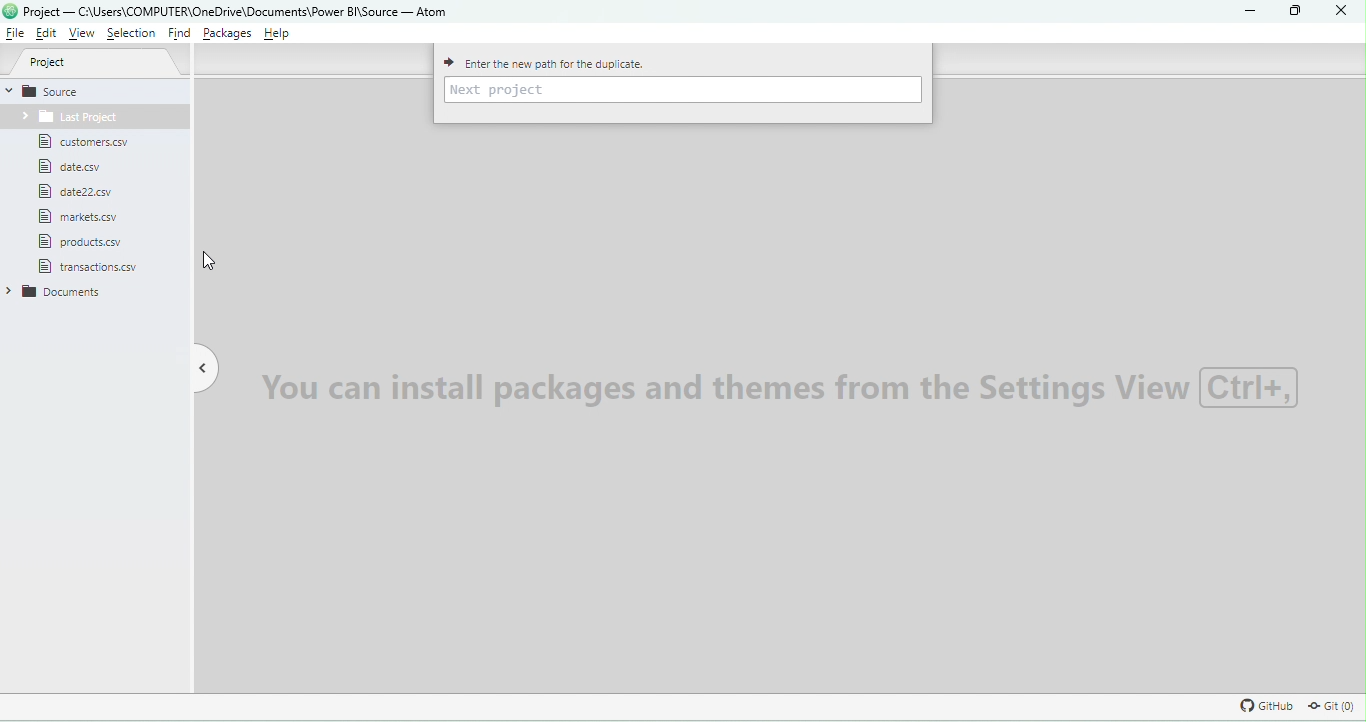 The width and height of the screenshot is (1366, 722). What do you see at coordinates (238, 11) in the screenshot?
I see `File name` at bounding box center [238, 11].